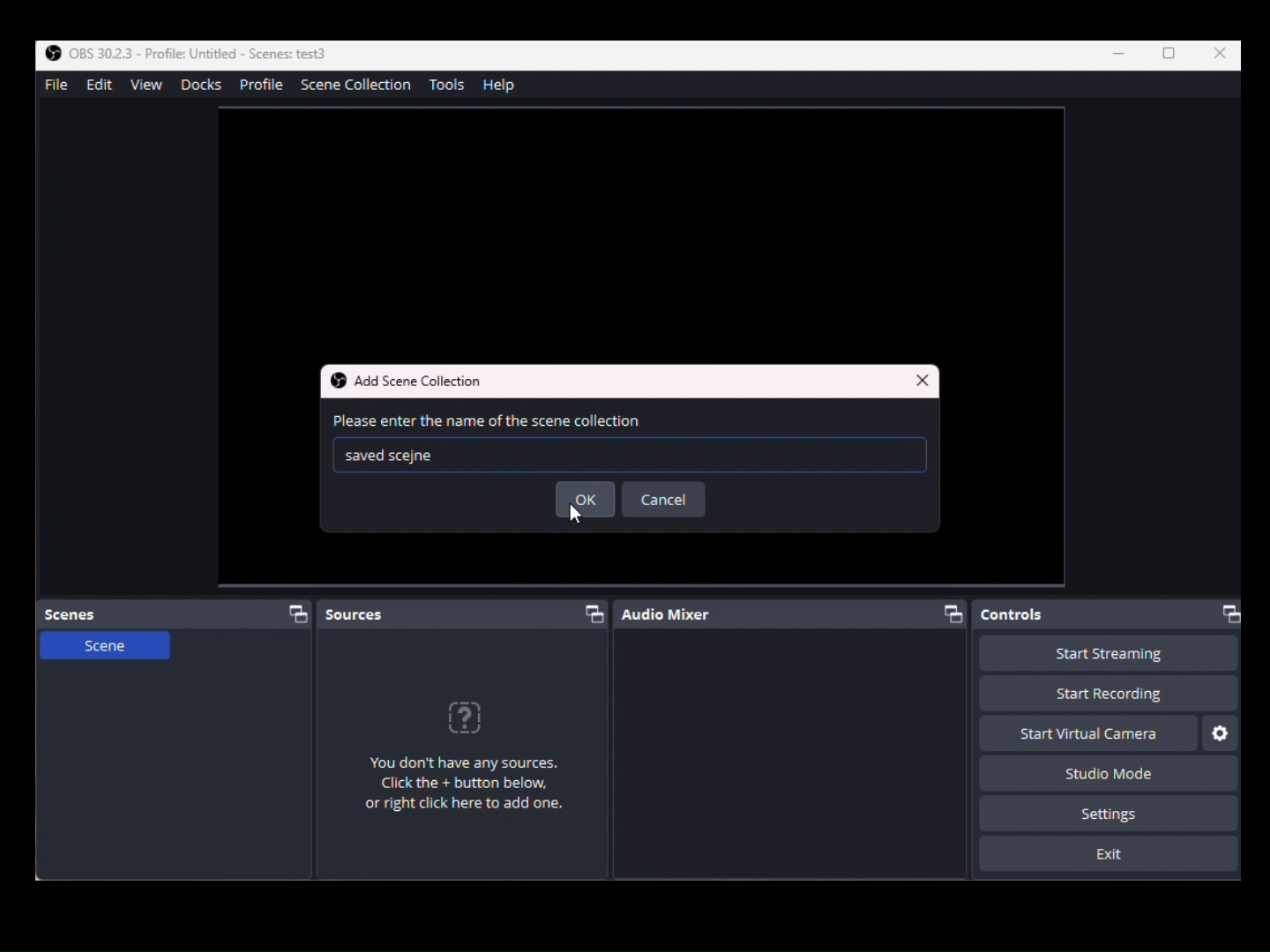 This screenshot has width=1270, height=952. What do you see at coordinates (465, 612) in the screenshot?
I see `Scources` at bounding box center [465, 612].